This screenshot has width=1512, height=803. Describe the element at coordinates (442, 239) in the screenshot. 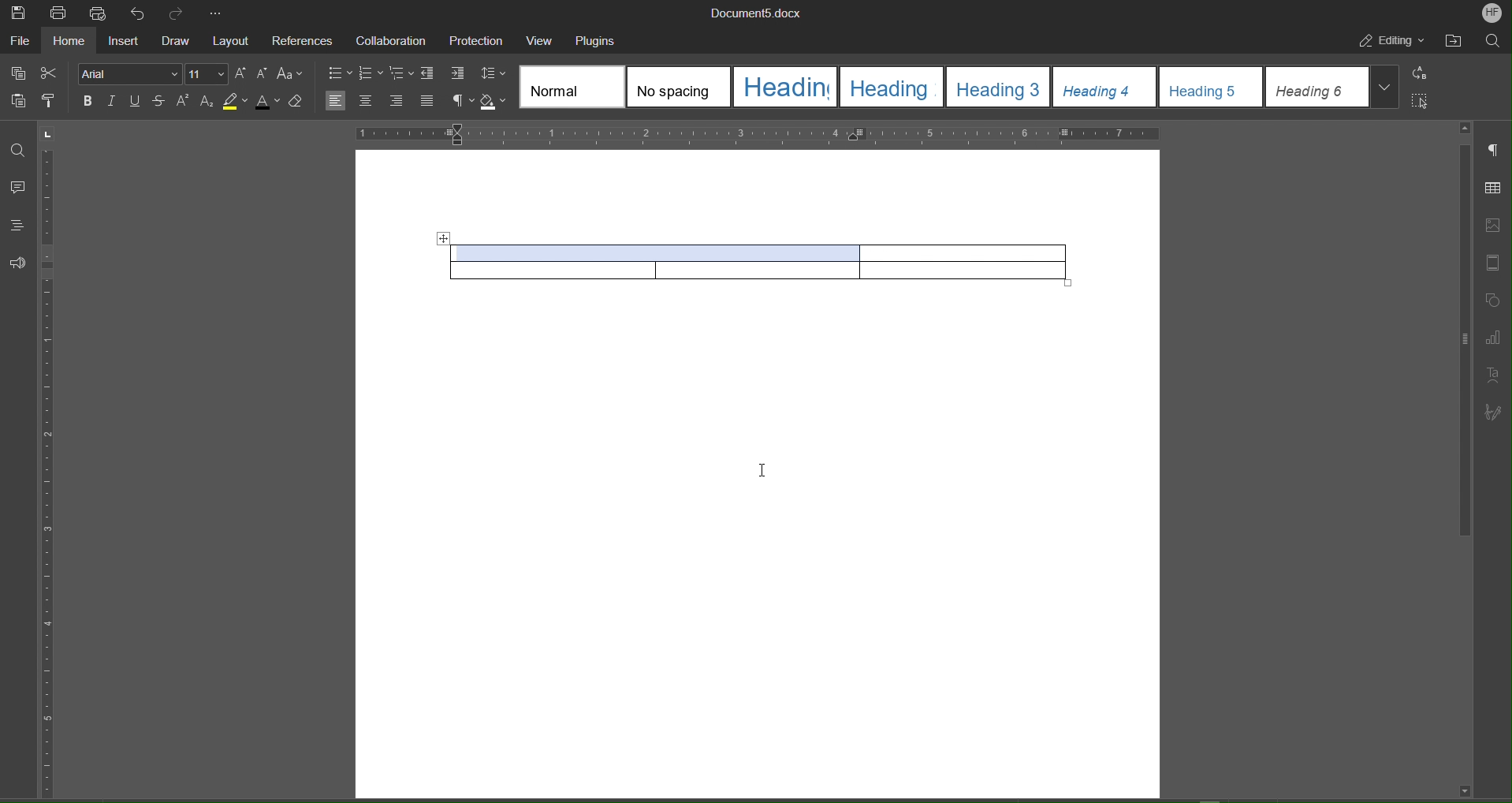

I see `Move table` at that location.